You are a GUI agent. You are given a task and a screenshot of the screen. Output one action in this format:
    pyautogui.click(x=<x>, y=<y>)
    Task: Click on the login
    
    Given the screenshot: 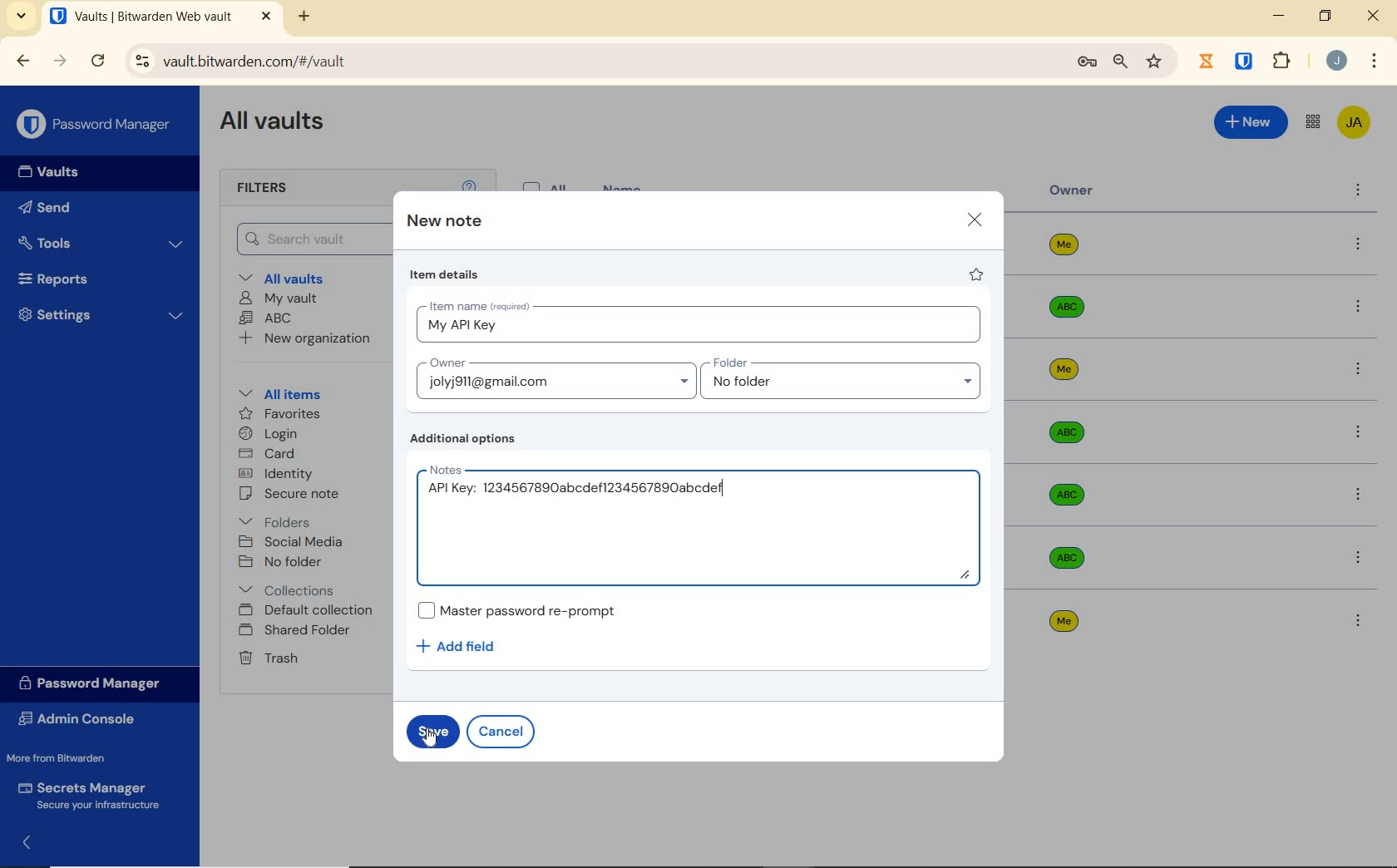 What is the action you would take?
    pyautogui.click(x=272, y=435)
    